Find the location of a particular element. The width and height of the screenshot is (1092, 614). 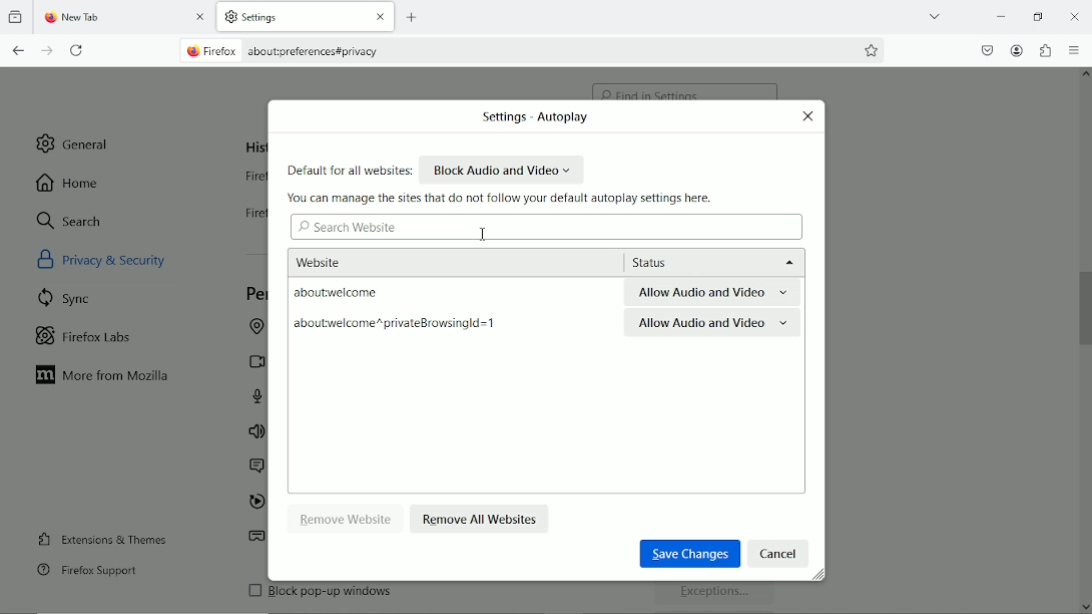

settings logo is located at coordinates (230, 16).